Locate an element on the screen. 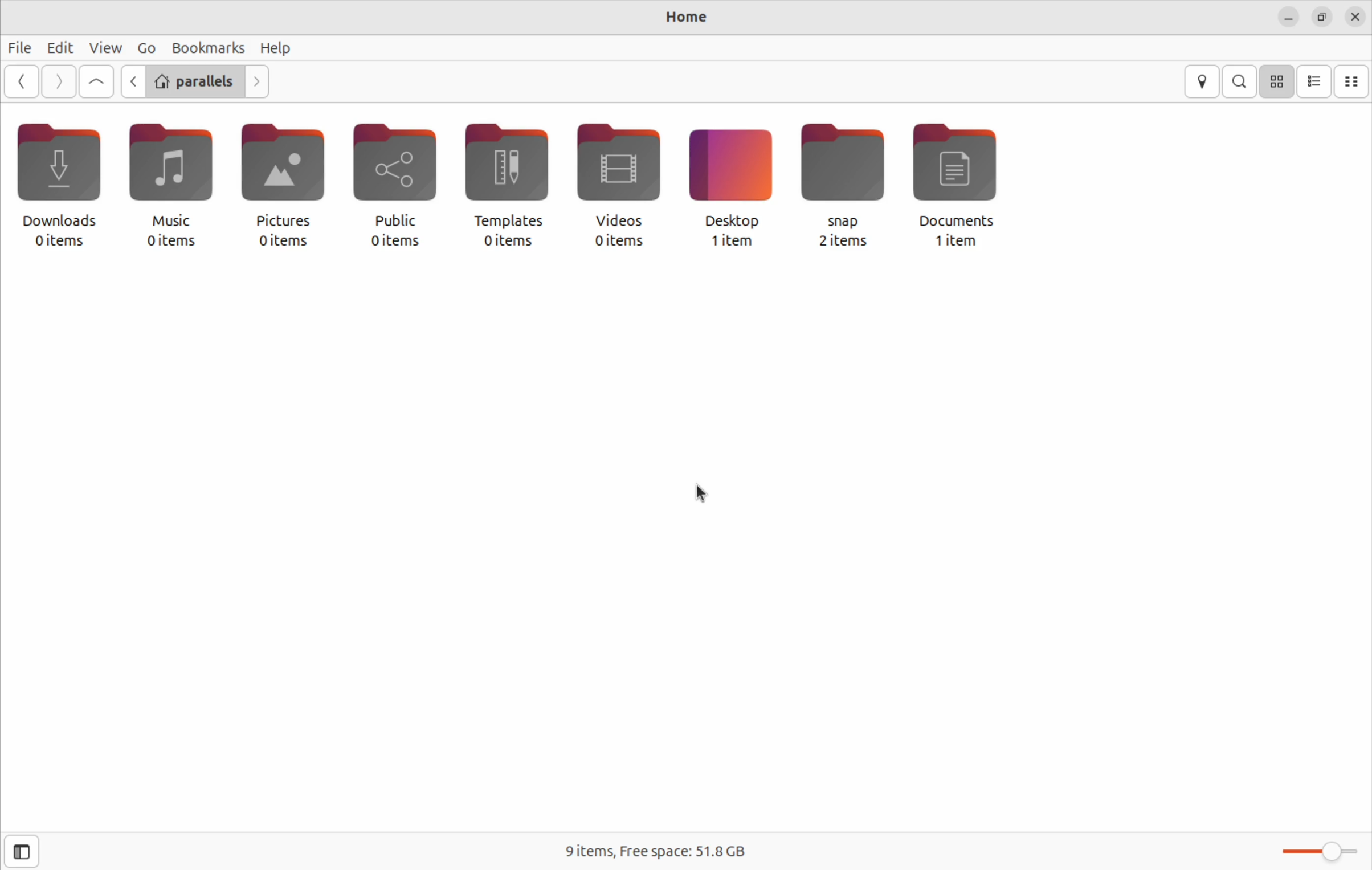  public is located at coordinates (392, 171).